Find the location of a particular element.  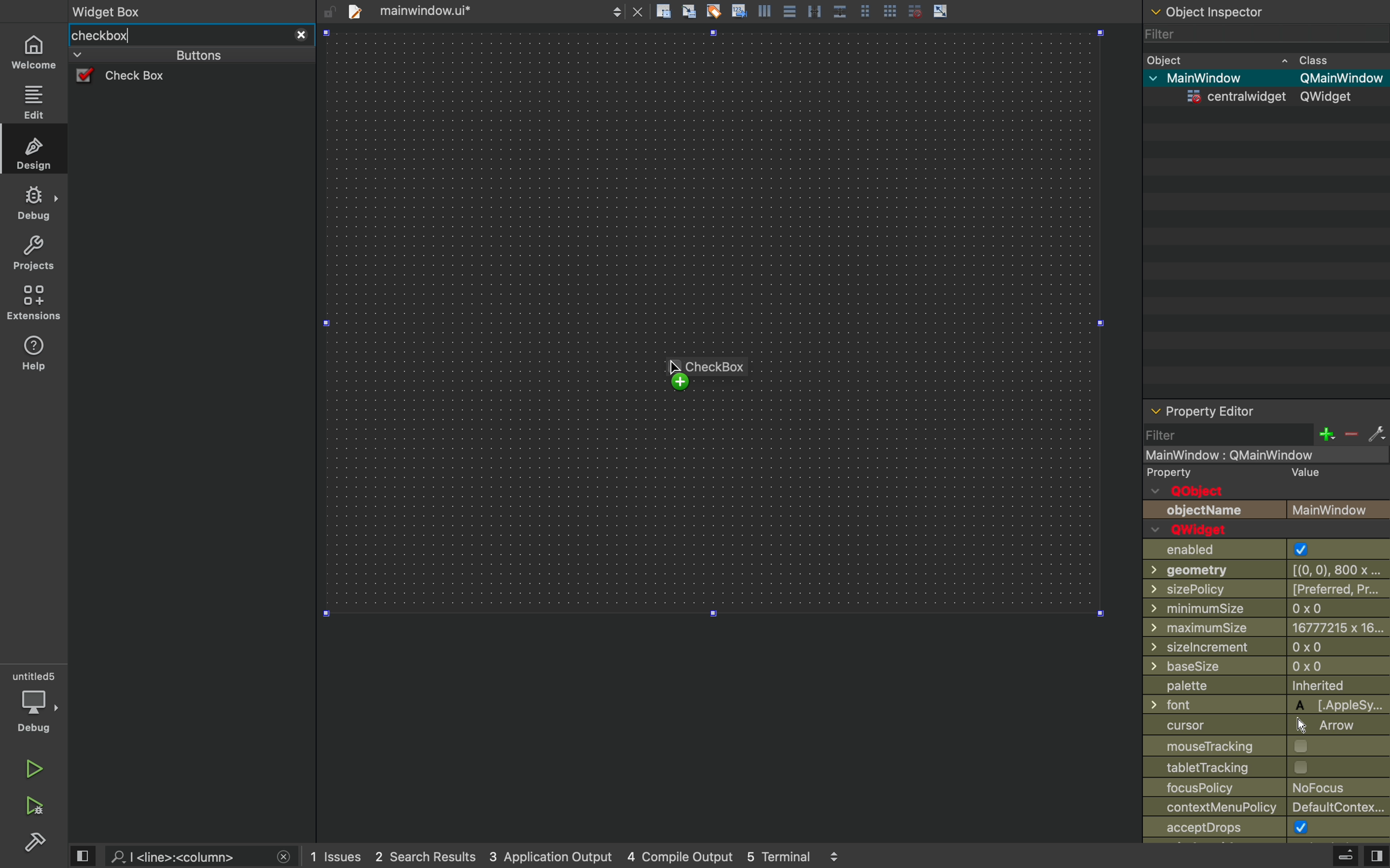

cursor is located at coordinates (676, 373).